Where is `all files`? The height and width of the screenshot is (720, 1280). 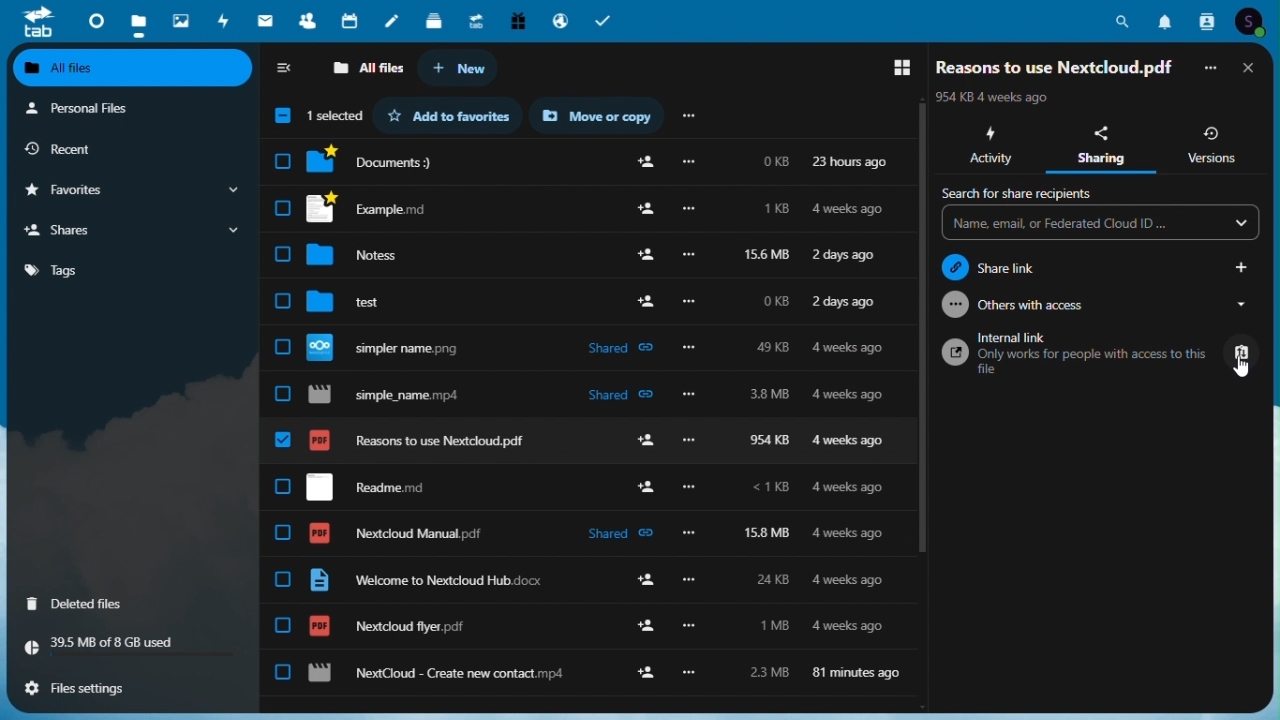 all files is located at coordinates (134, 68).